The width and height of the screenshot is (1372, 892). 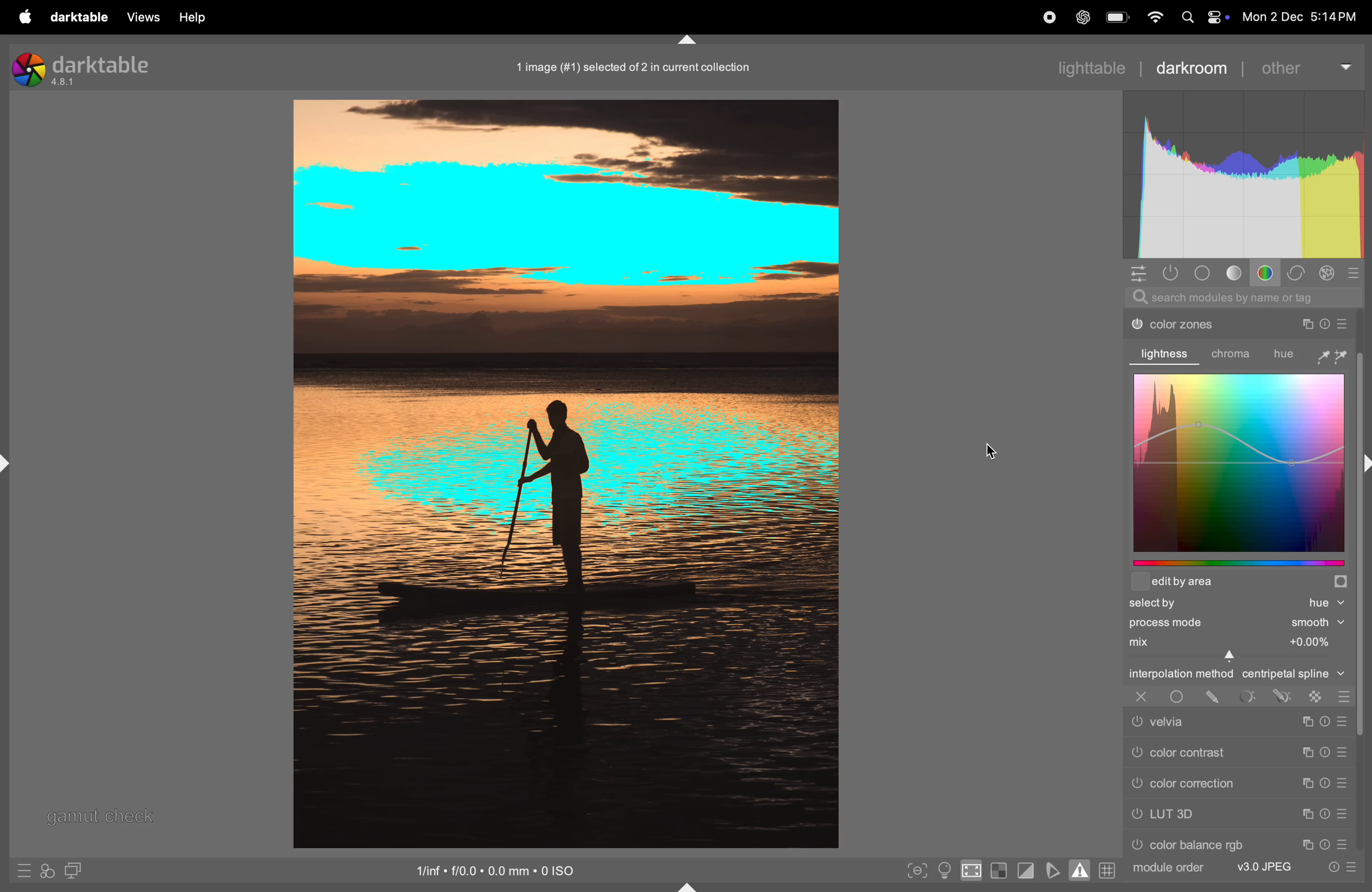 I want to click on color correction, so click(x=1203, y=783).